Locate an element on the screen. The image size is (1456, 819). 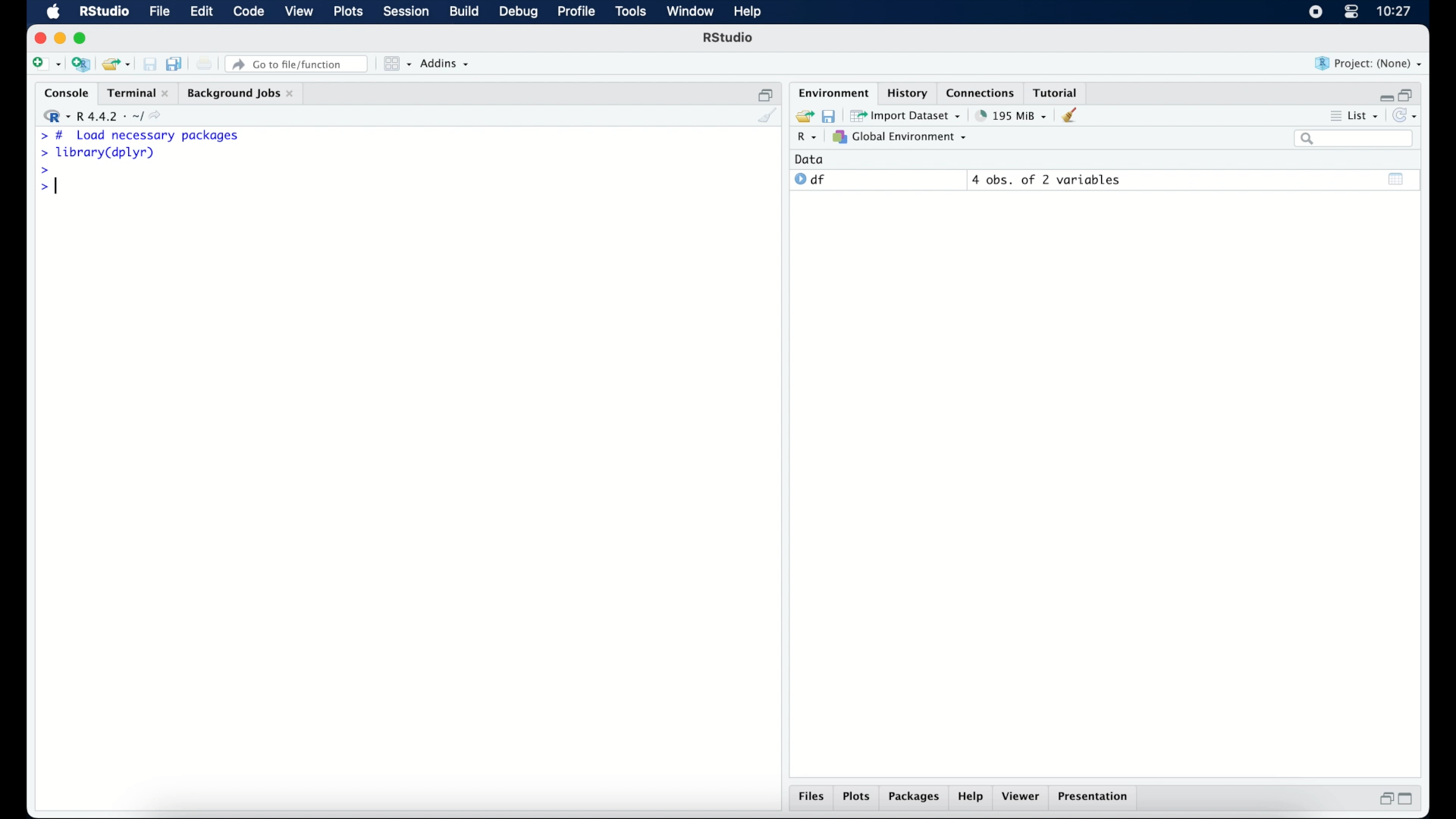
save is located at coordinates (828, 115).